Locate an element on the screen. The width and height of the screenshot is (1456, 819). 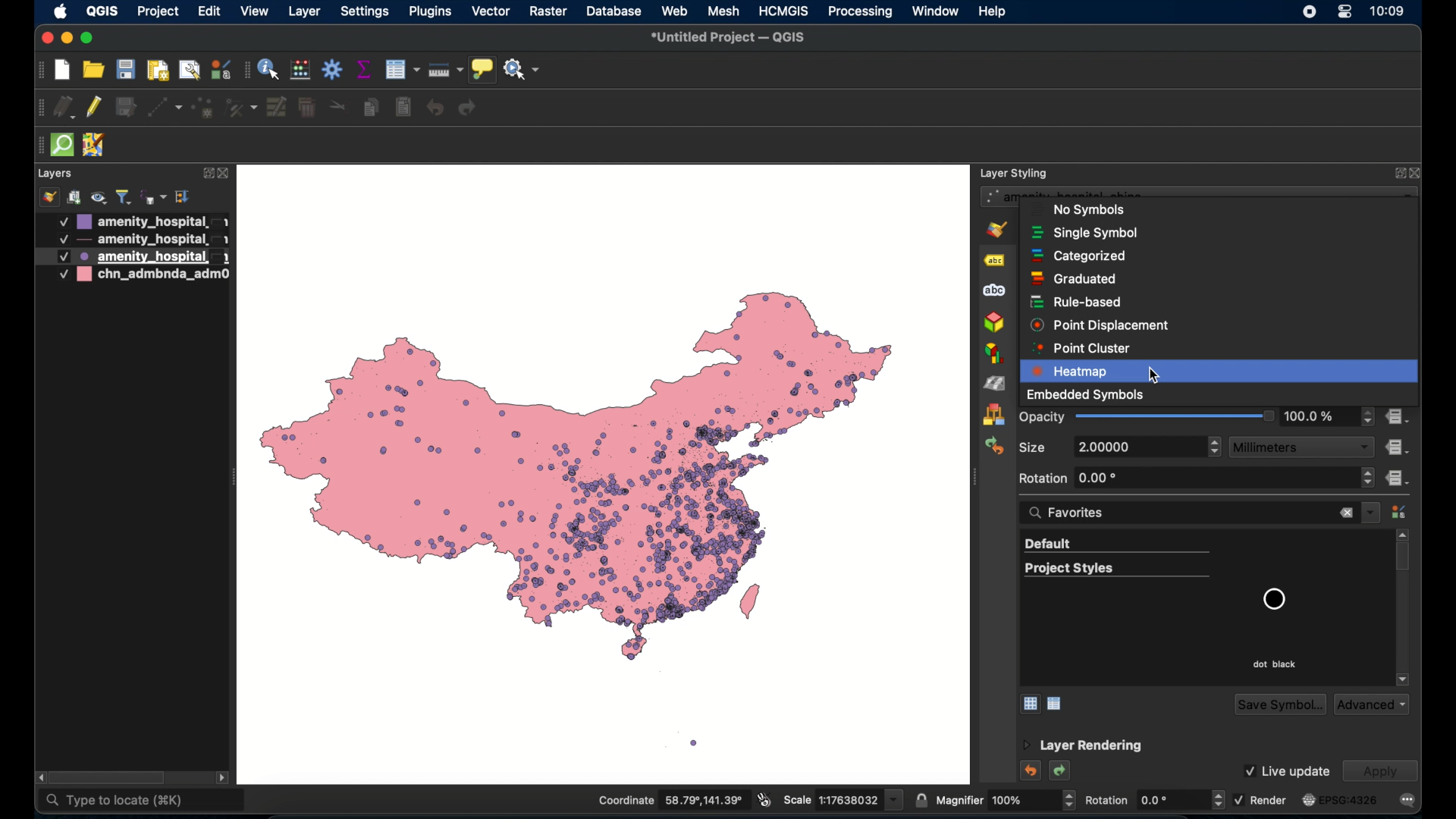
layer 4 is located at coordinates (137, 276).